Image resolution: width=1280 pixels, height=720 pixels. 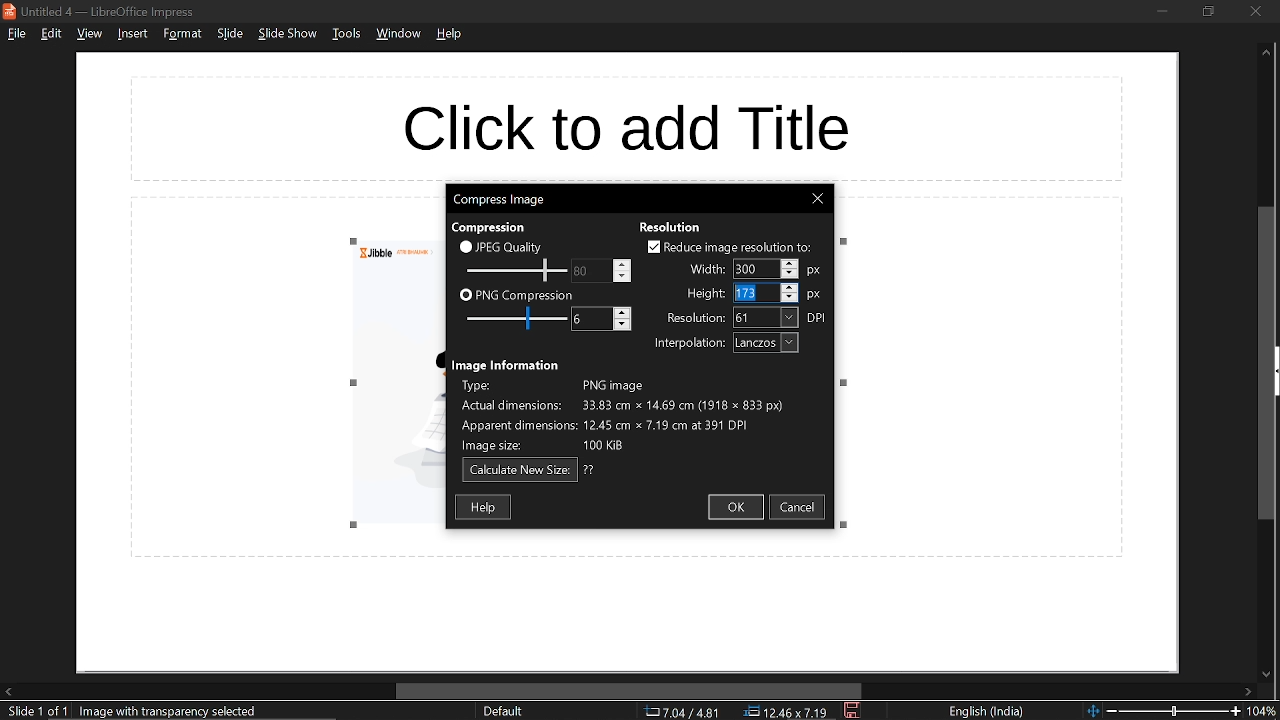 I want to click on current zoom, so click(x=1265, y=711).